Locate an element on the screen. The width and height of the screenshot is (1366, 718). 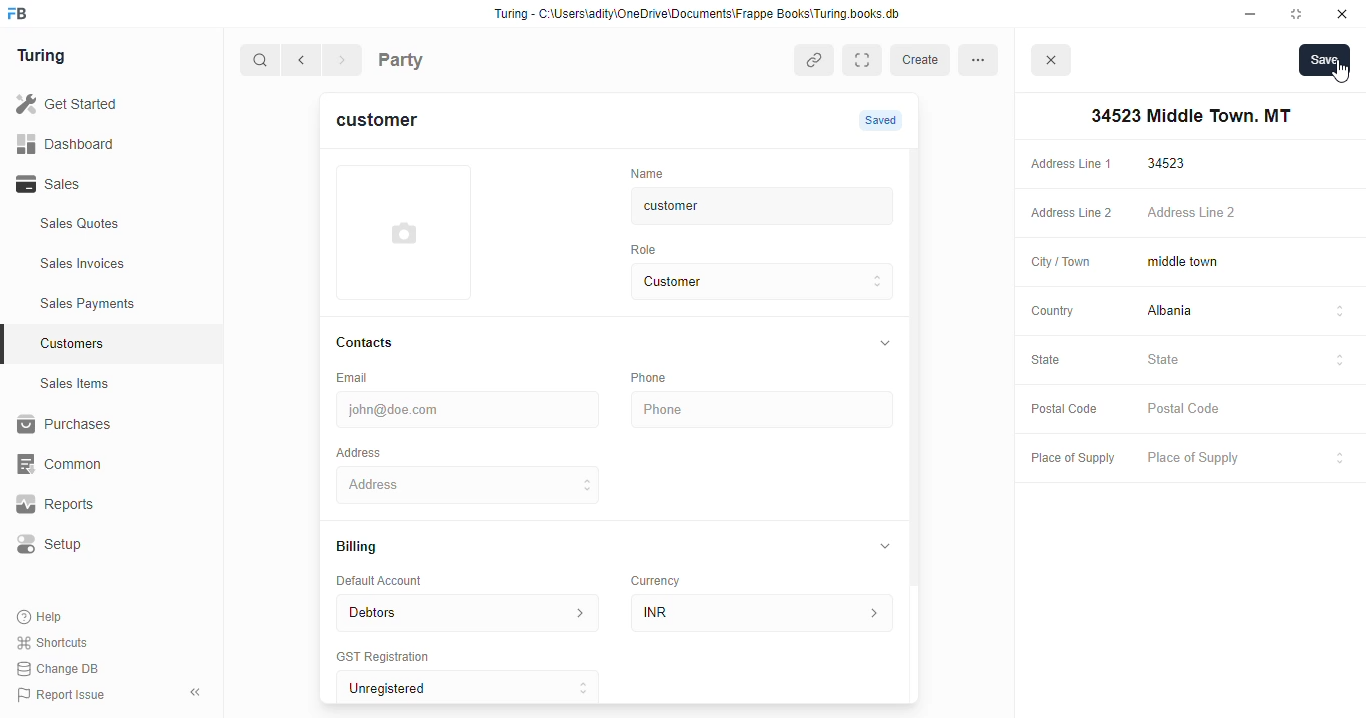
Saved is located at coordinates (883, 120).